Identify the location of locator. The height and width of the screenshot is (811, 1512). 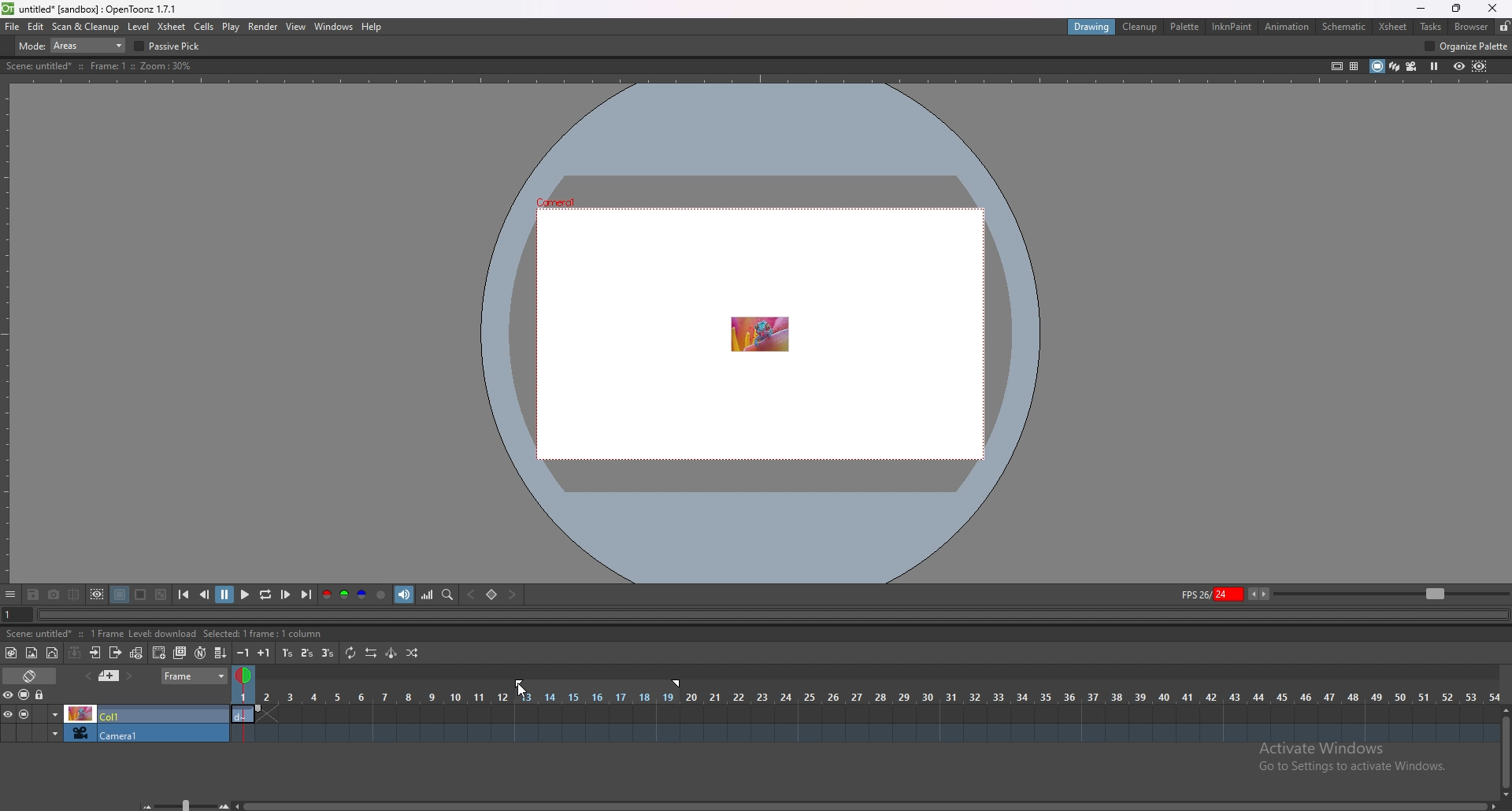
(449, 595).